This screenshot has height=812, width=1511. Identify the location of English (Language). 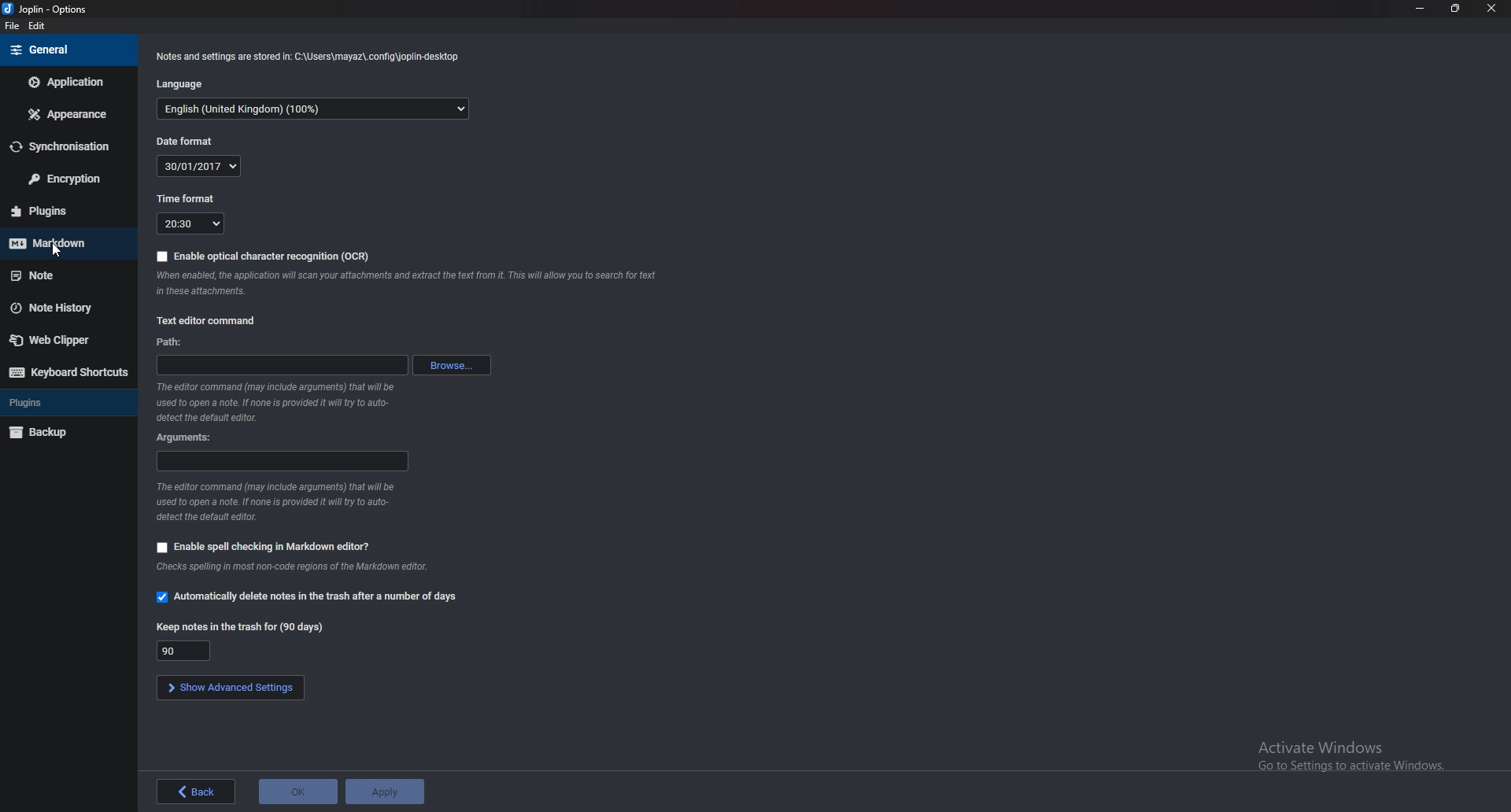
(311, 109).